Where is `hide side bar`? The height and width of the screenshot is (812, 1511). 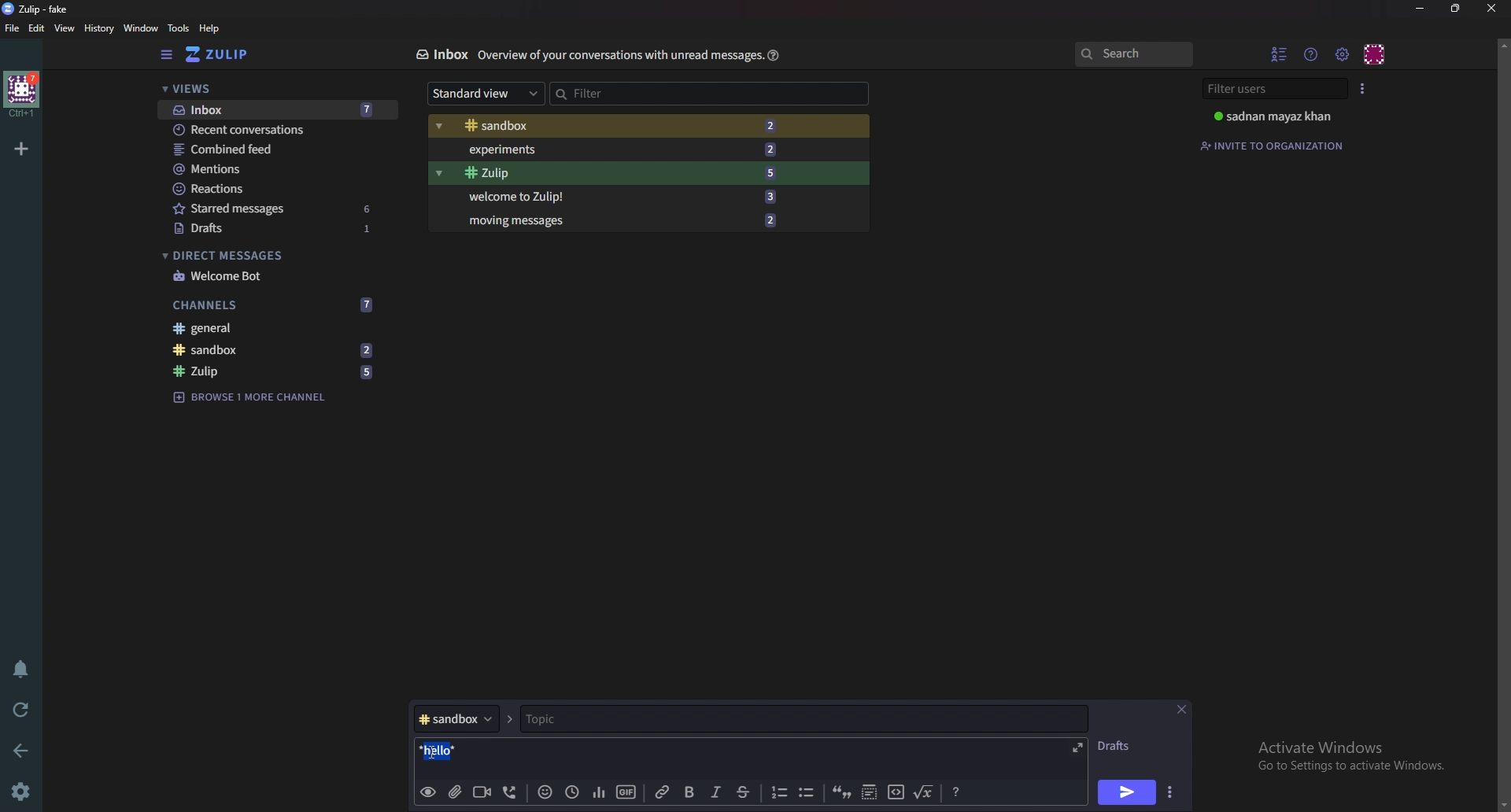 hide side bar is located at coordinates (167, 55).